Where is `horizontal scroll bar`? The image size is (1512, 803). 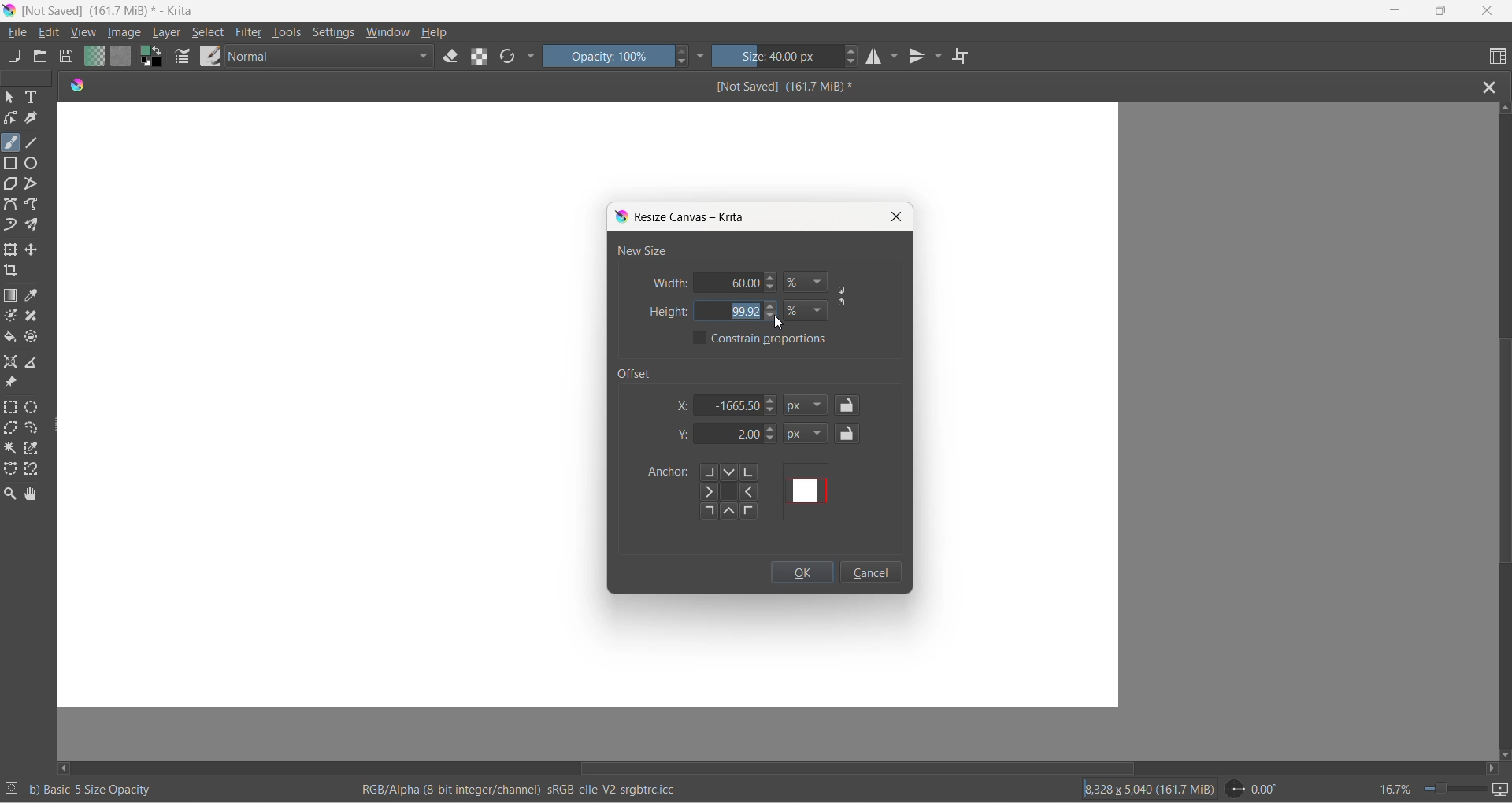
horizontal scroll bar is located at coordinates (857, 768).